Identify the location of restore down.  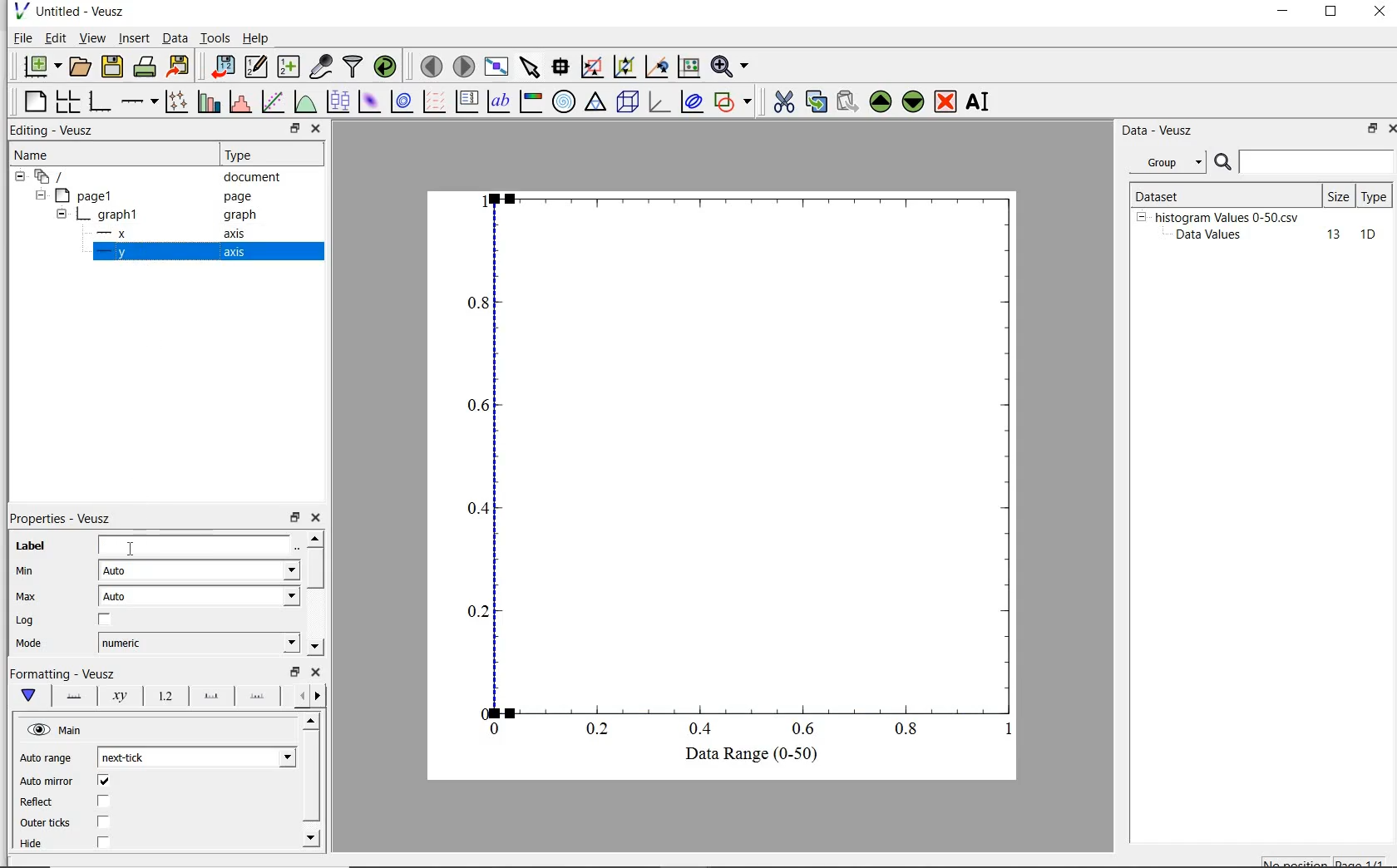
(294, 129).